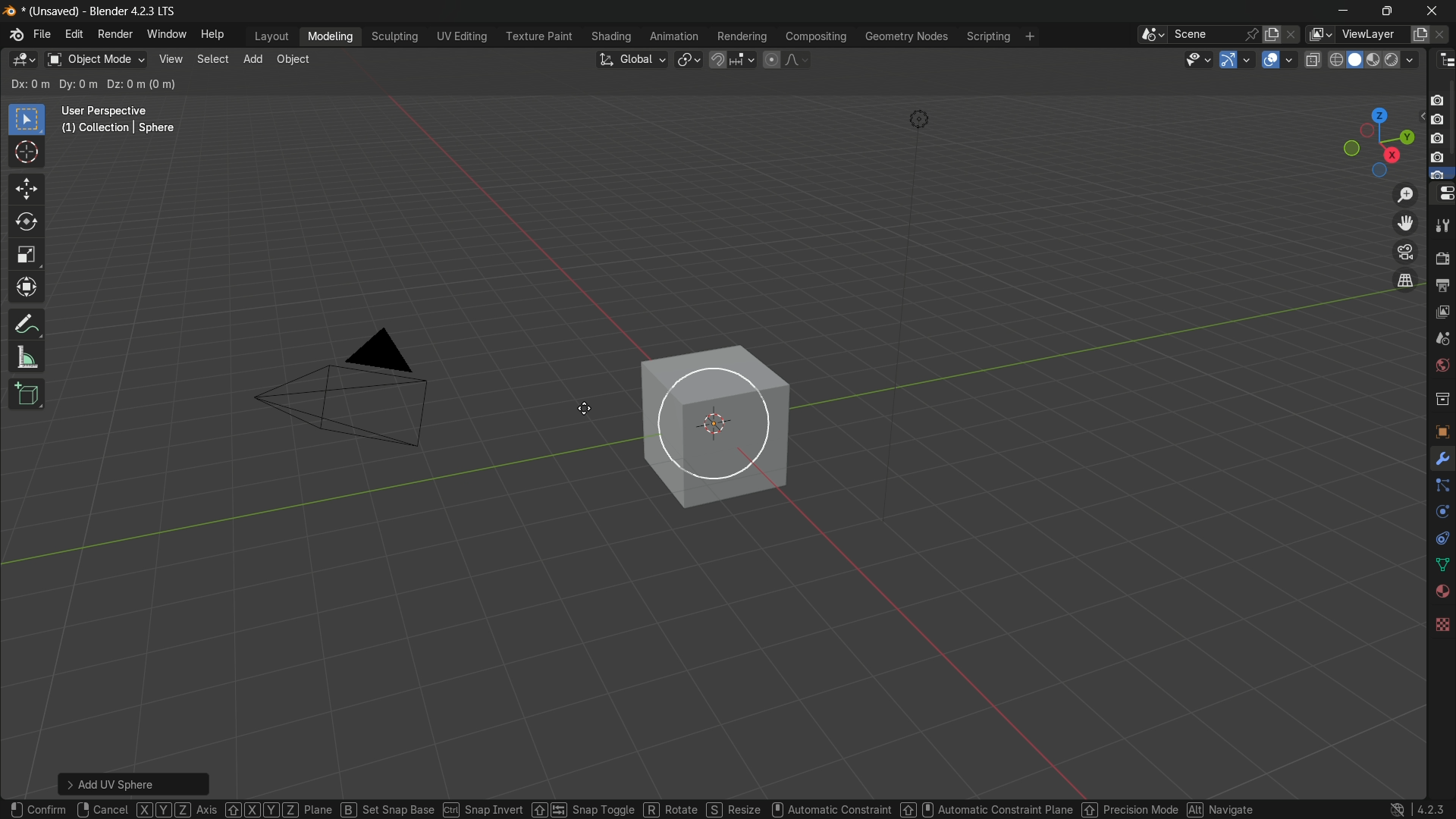 Image resolution: width=1456 pixels, height=819 pixels. Describe the element at coordinates (37, 83) in the screenshot. I see `extend existing selection` at that location.